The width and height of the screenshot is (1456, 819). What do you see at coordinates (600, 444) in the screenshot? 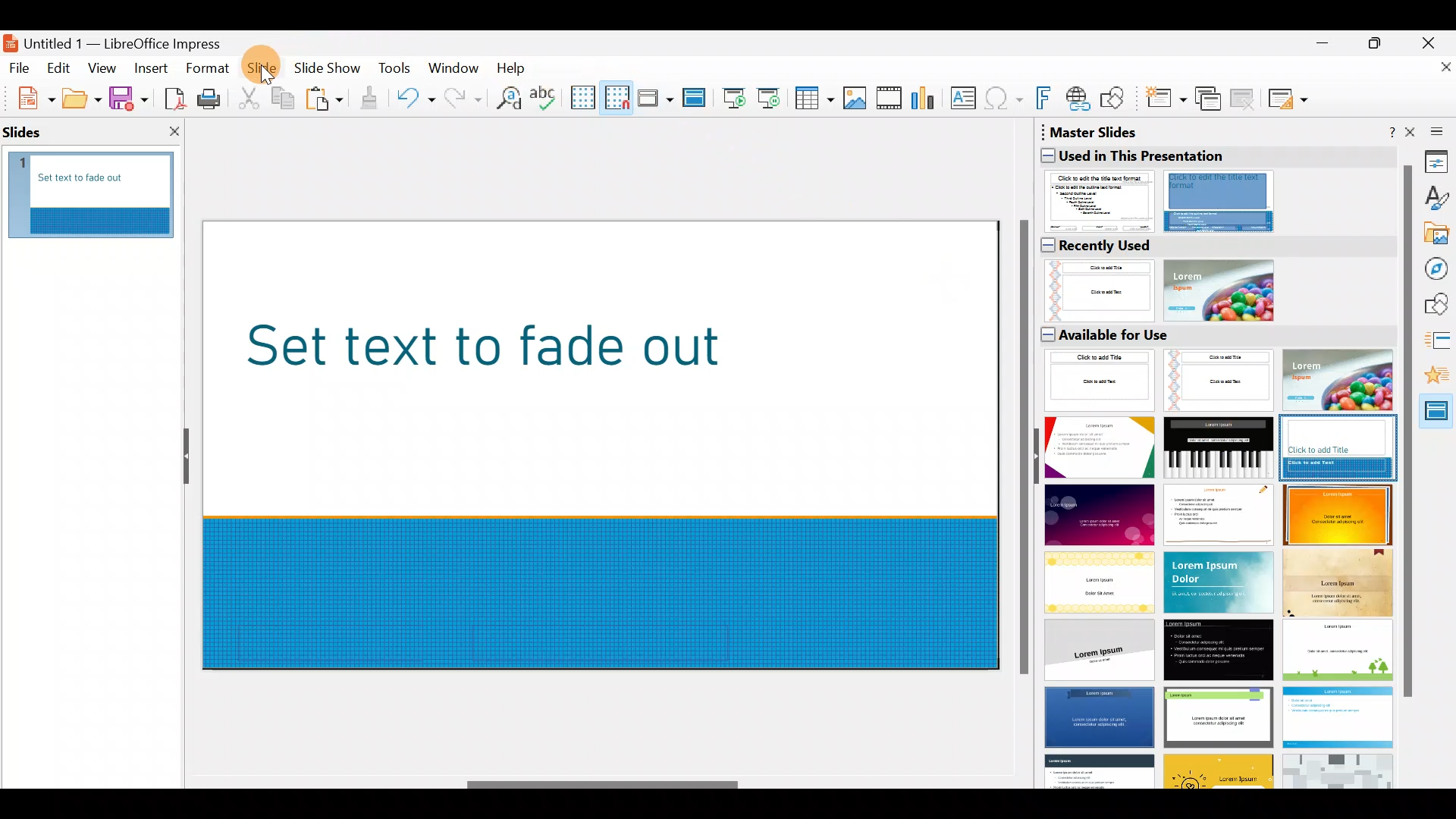
I see `Presentation slide` at bounding box center [600, 444].